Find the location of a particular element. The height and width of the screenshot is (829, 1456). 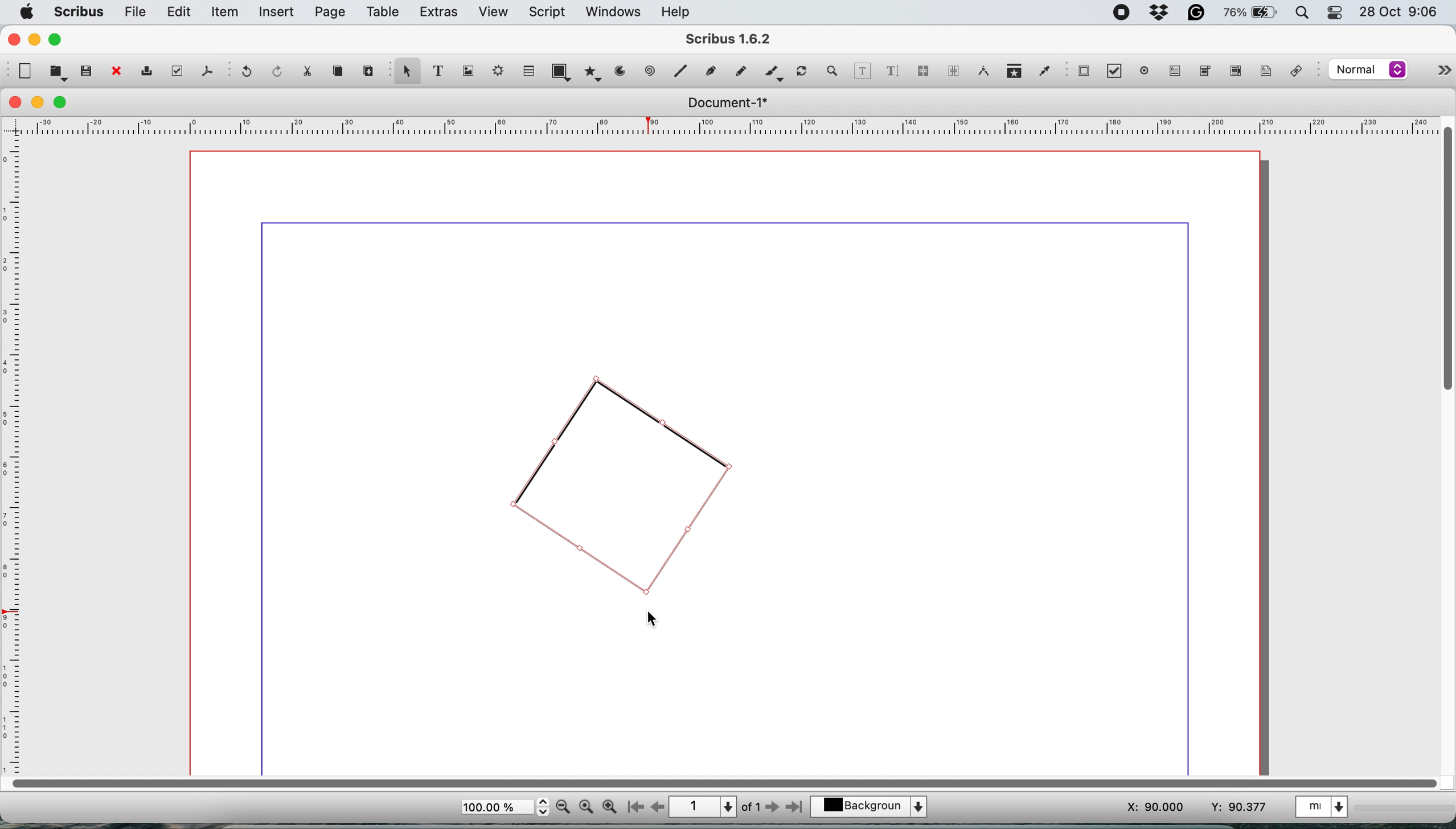

save is located at coordinates (86, 71).